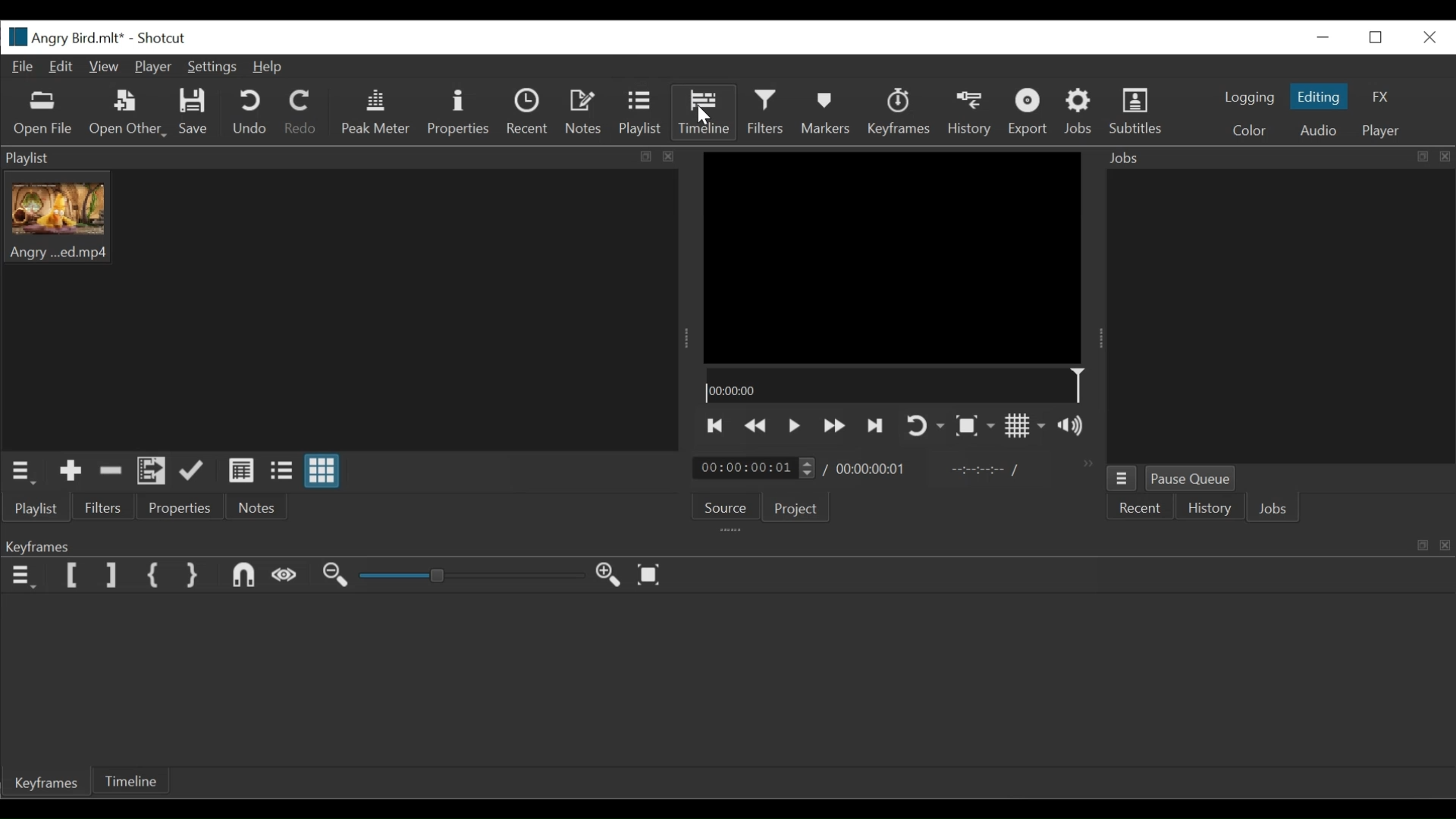  Describe the element at coordinates (260, 507) in the screenshot. I see `Notes` at that location.